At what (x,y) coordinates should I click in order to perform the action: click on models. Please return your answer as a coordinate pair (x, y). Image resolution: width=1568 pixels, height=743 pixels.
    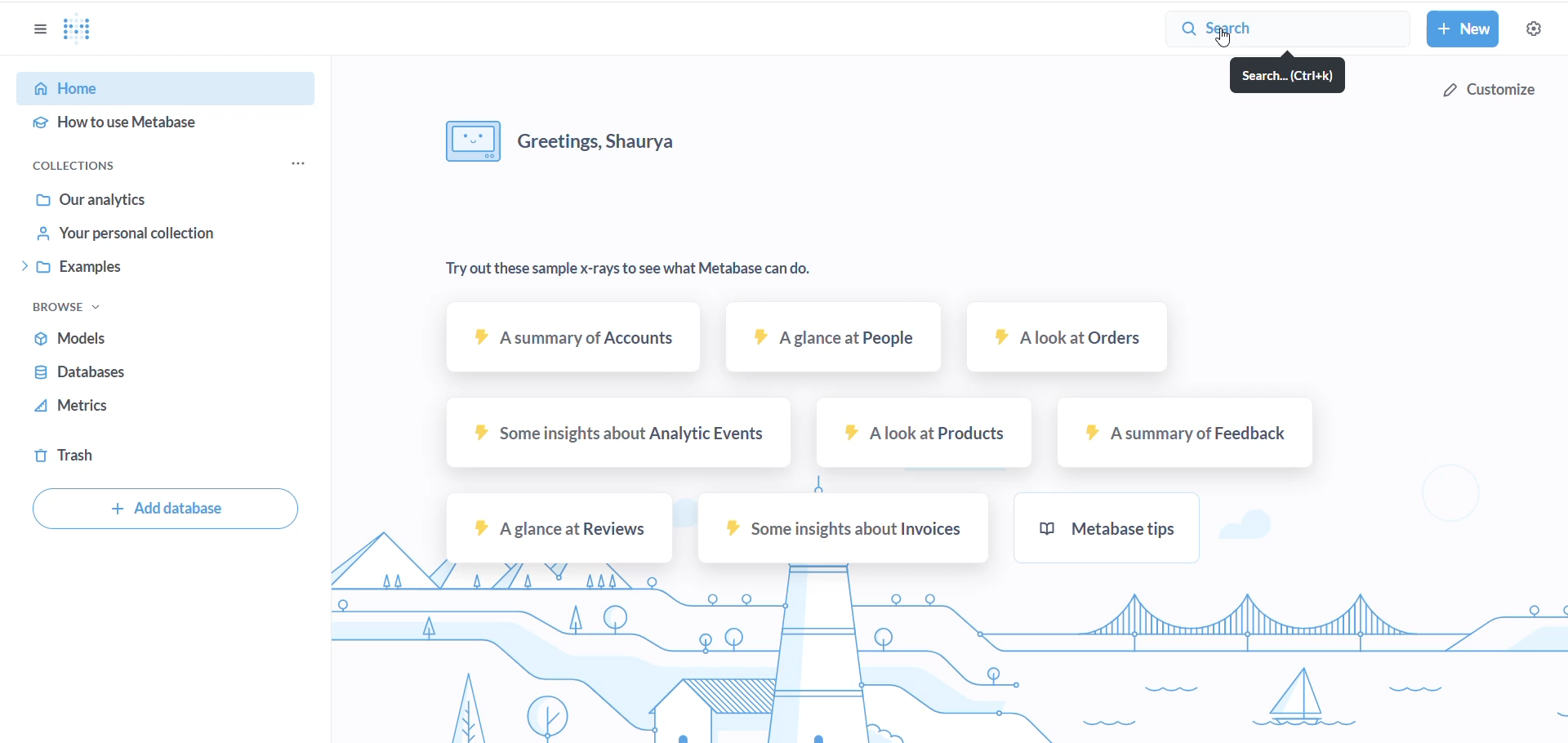
    Looking at the image, I should click on (133, 339).